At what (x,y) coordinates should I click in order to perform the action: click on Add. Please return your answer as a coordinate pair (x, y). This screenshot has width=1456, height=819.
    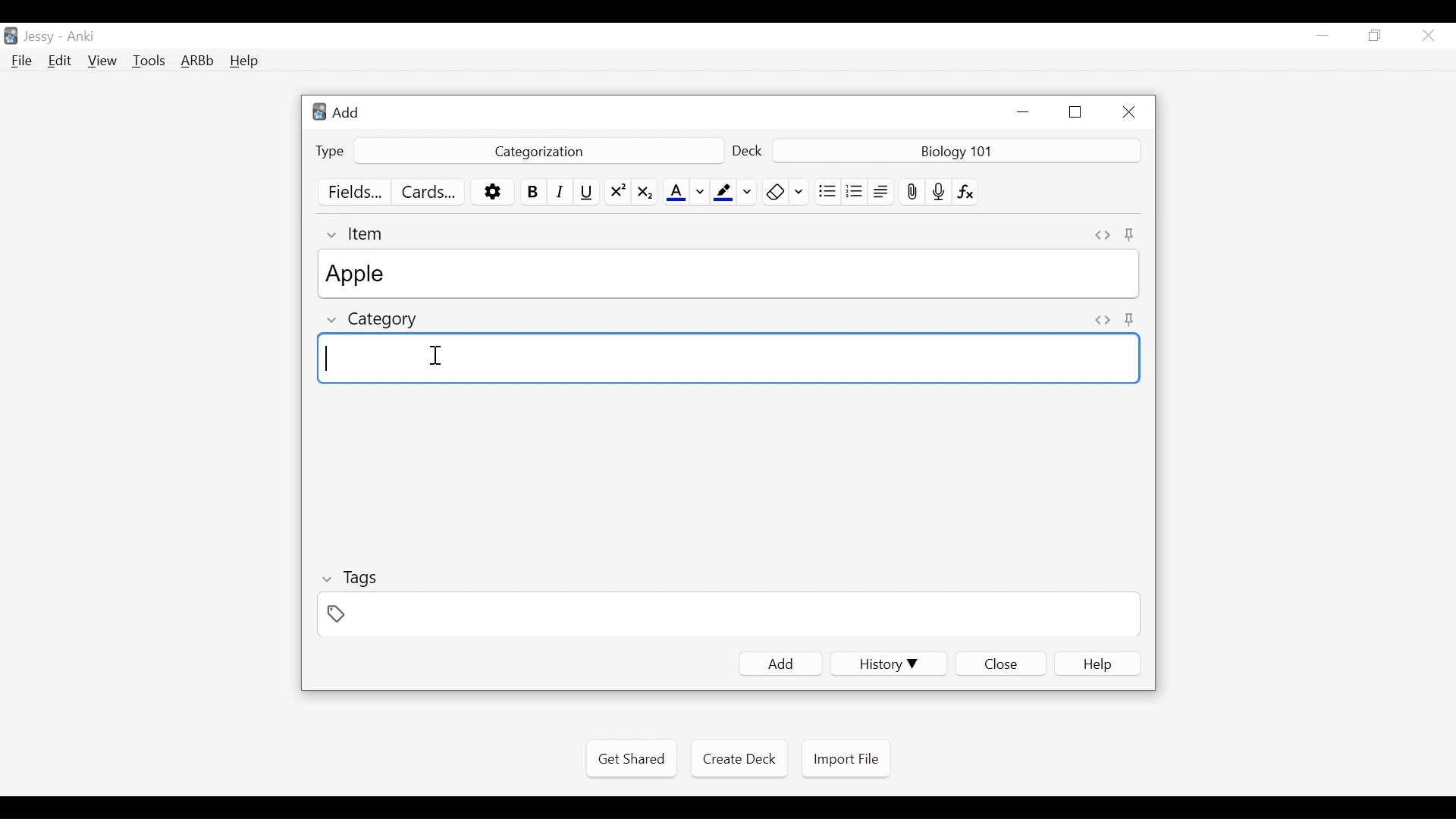
    Looking at the image, I should click on (345, 111).